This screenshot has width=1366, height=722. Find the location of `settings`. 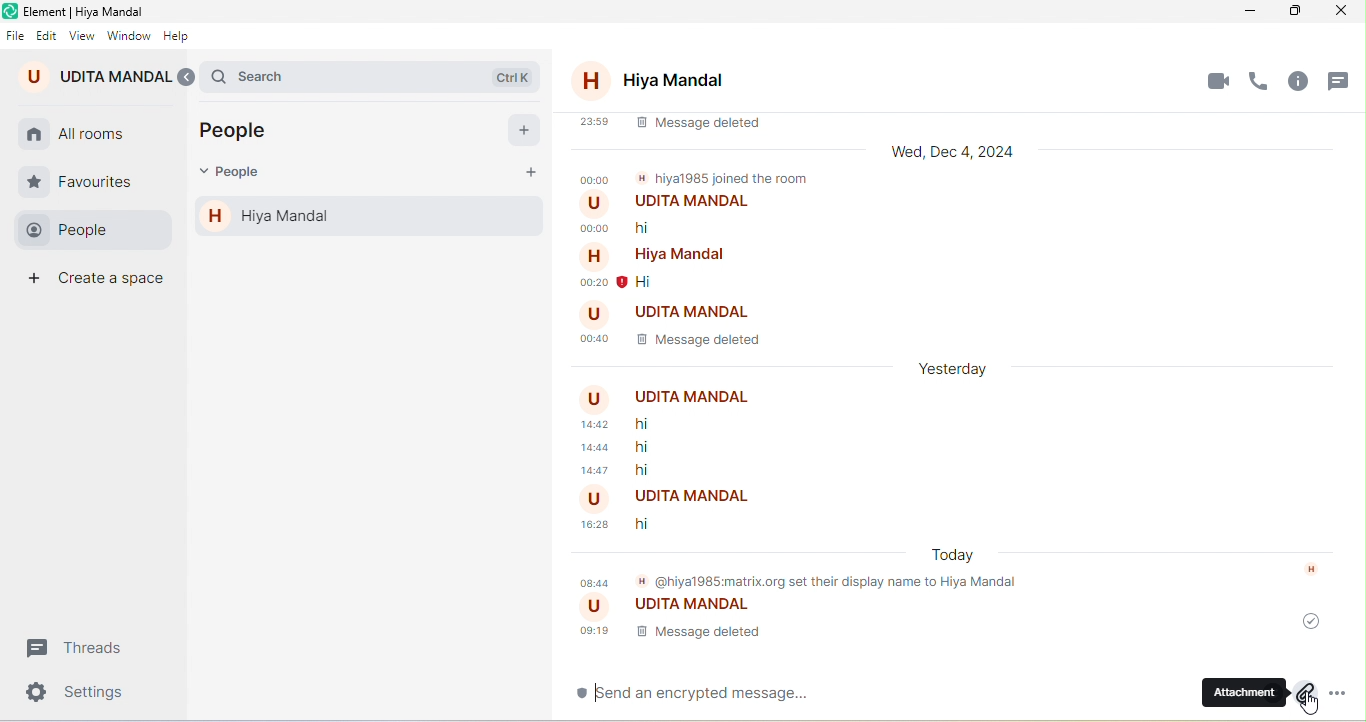

settings is located at coordinates (84, 695).